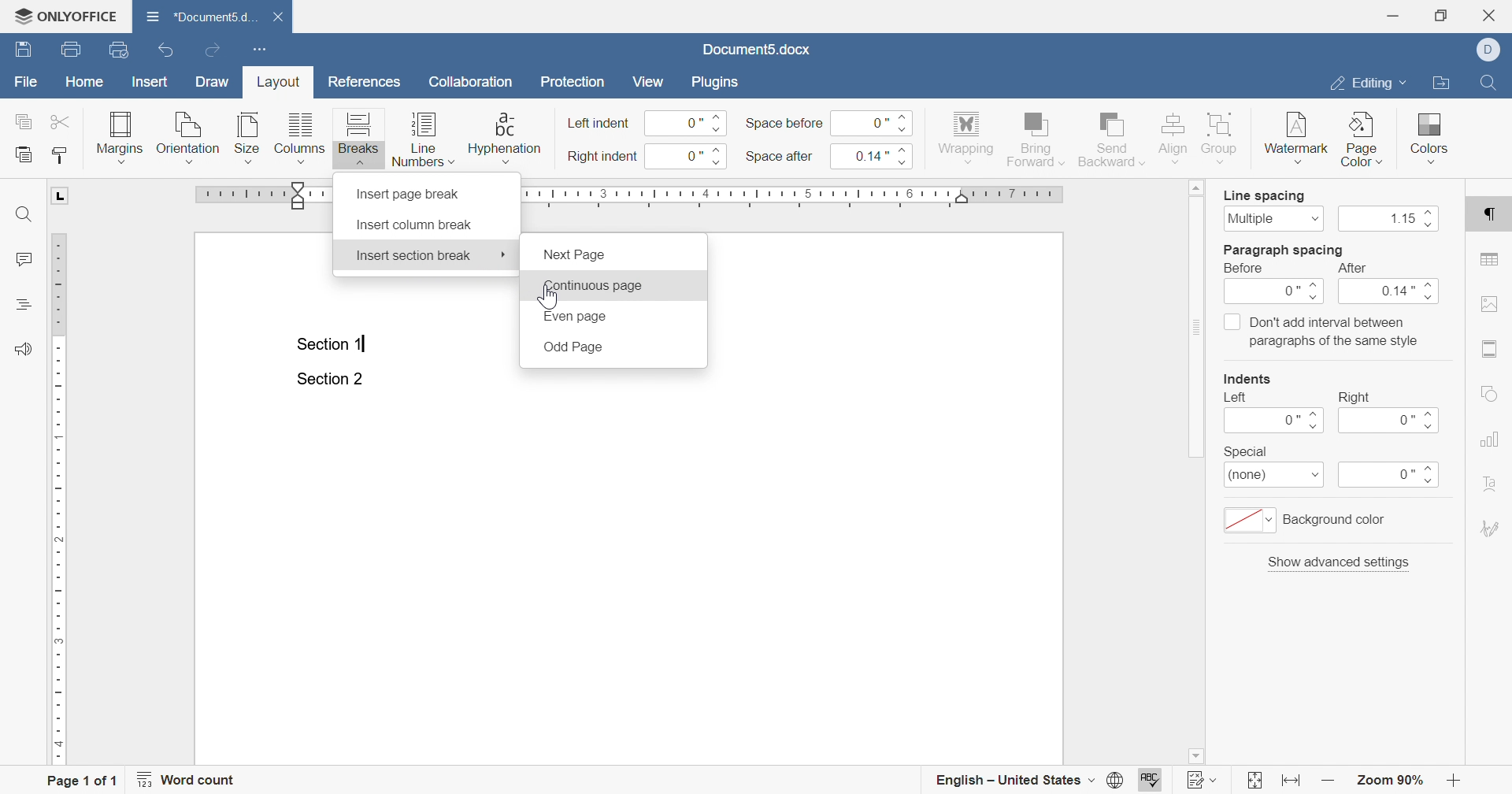  Describe the element at coordinates (1488, 482) in the screenshot. I see `text art settings` at that location.